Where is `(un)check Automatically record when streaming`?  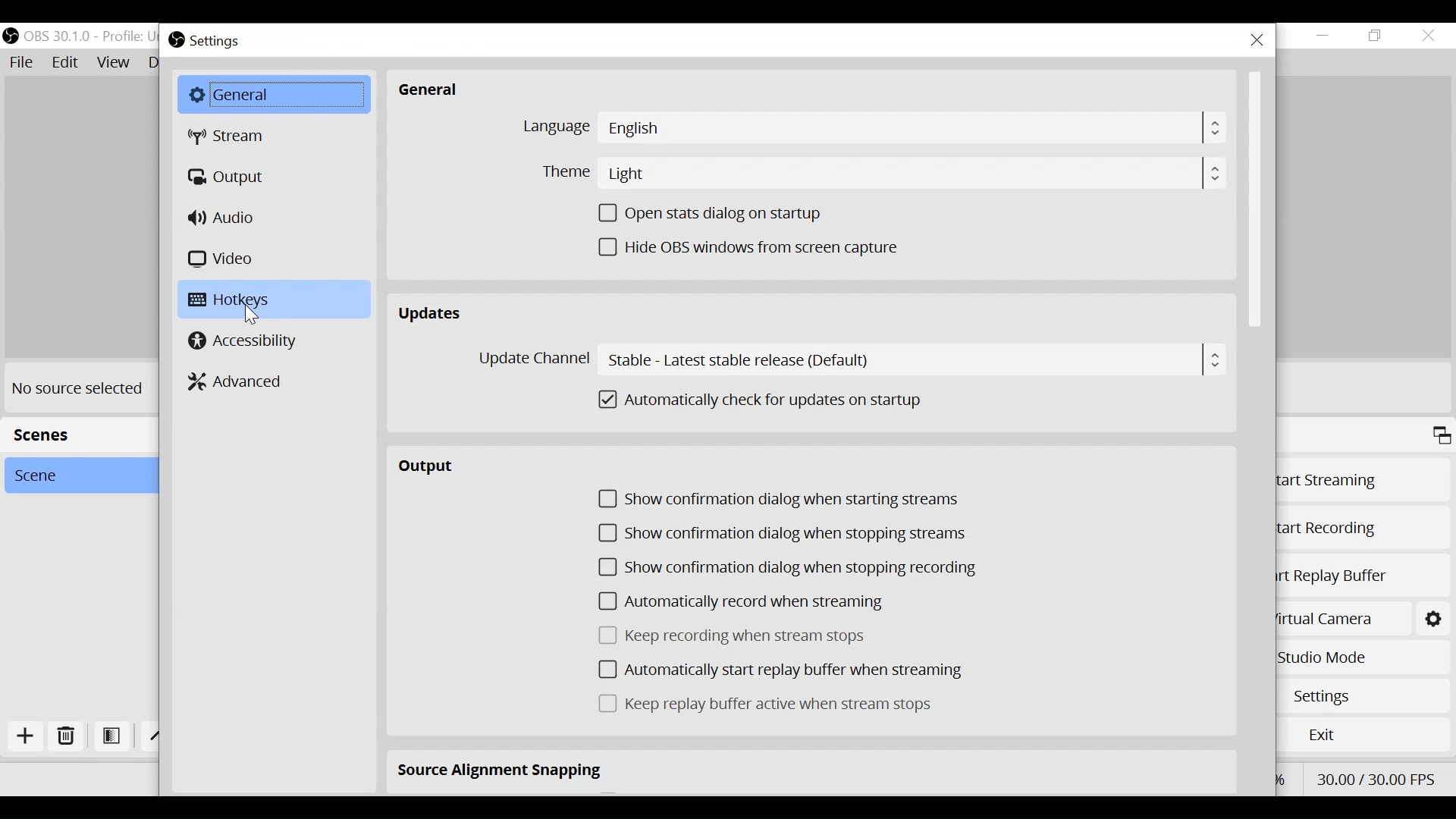 (un)check Automatically record when streaming is located at coordinates (752, 602).